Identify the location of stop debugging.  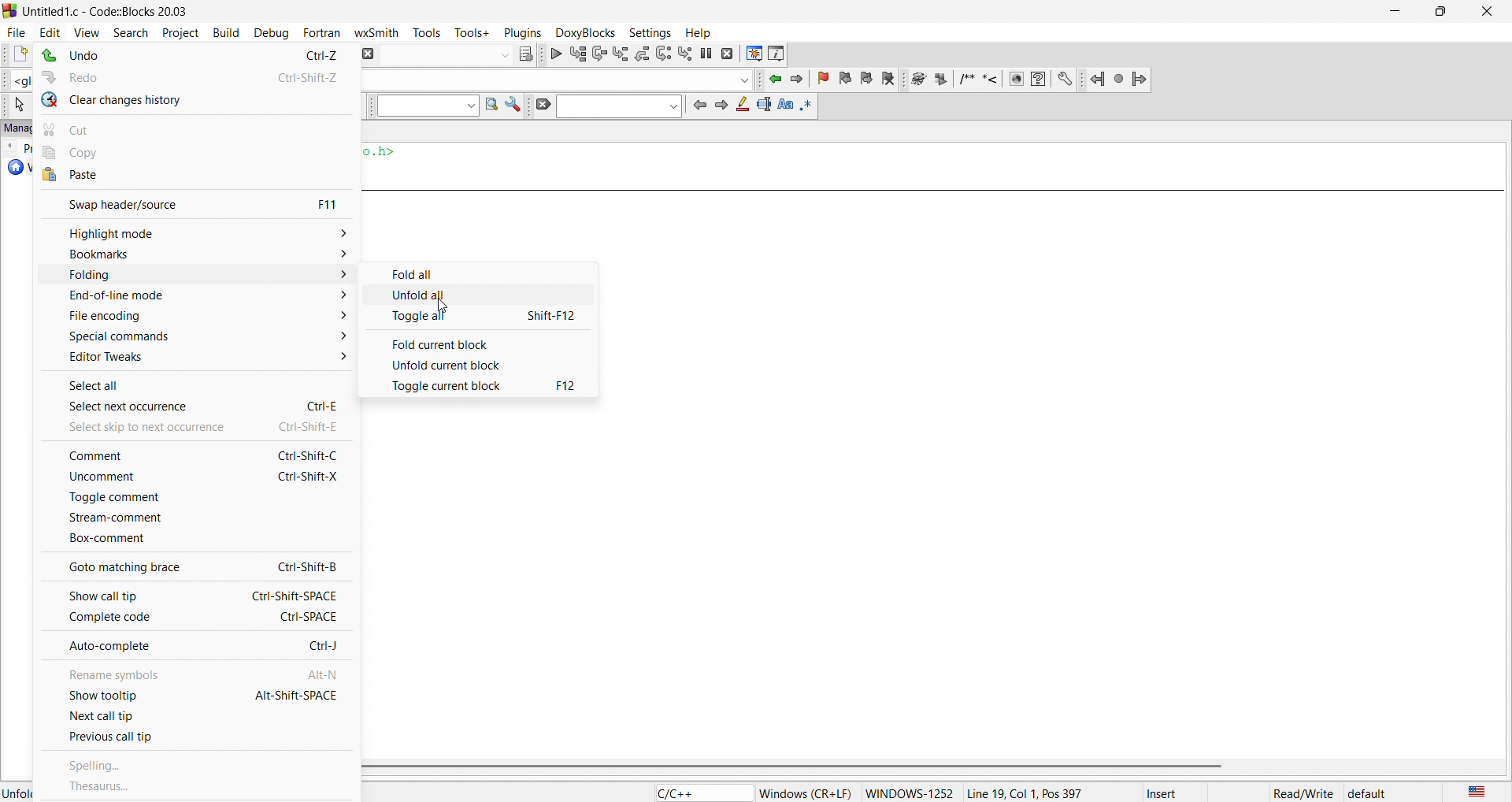
(728, 54).